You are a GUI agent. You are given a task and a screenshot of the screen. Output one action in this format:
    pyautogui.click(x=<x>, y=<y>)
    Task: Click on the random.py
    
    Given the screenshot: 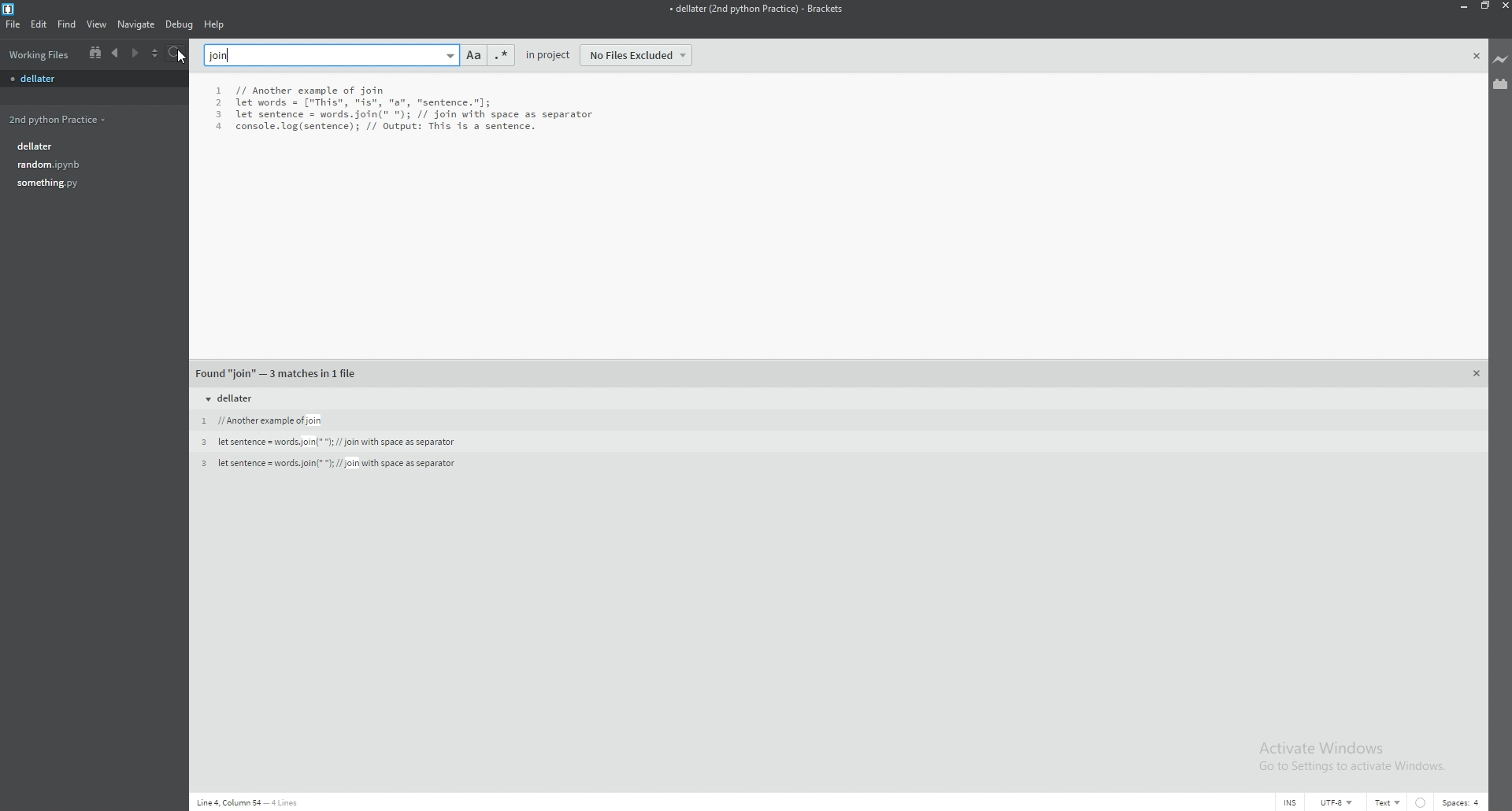 What is the action you would take?
    pyautogui.click(x=90, y=166)
    